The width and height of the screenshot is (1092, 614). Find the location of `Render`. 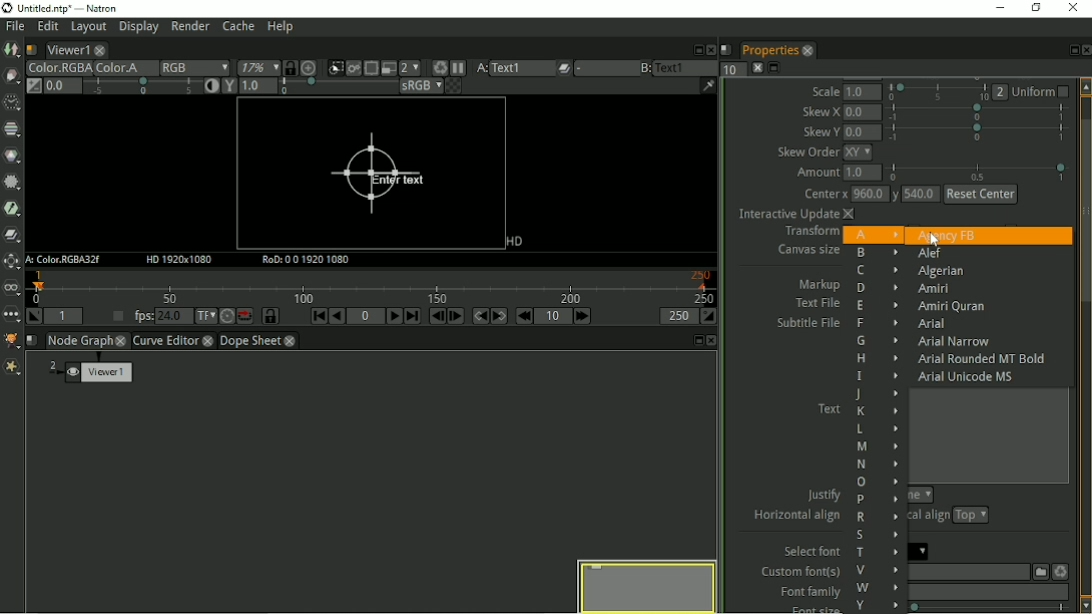

Render is located at coordinates (191, 28).